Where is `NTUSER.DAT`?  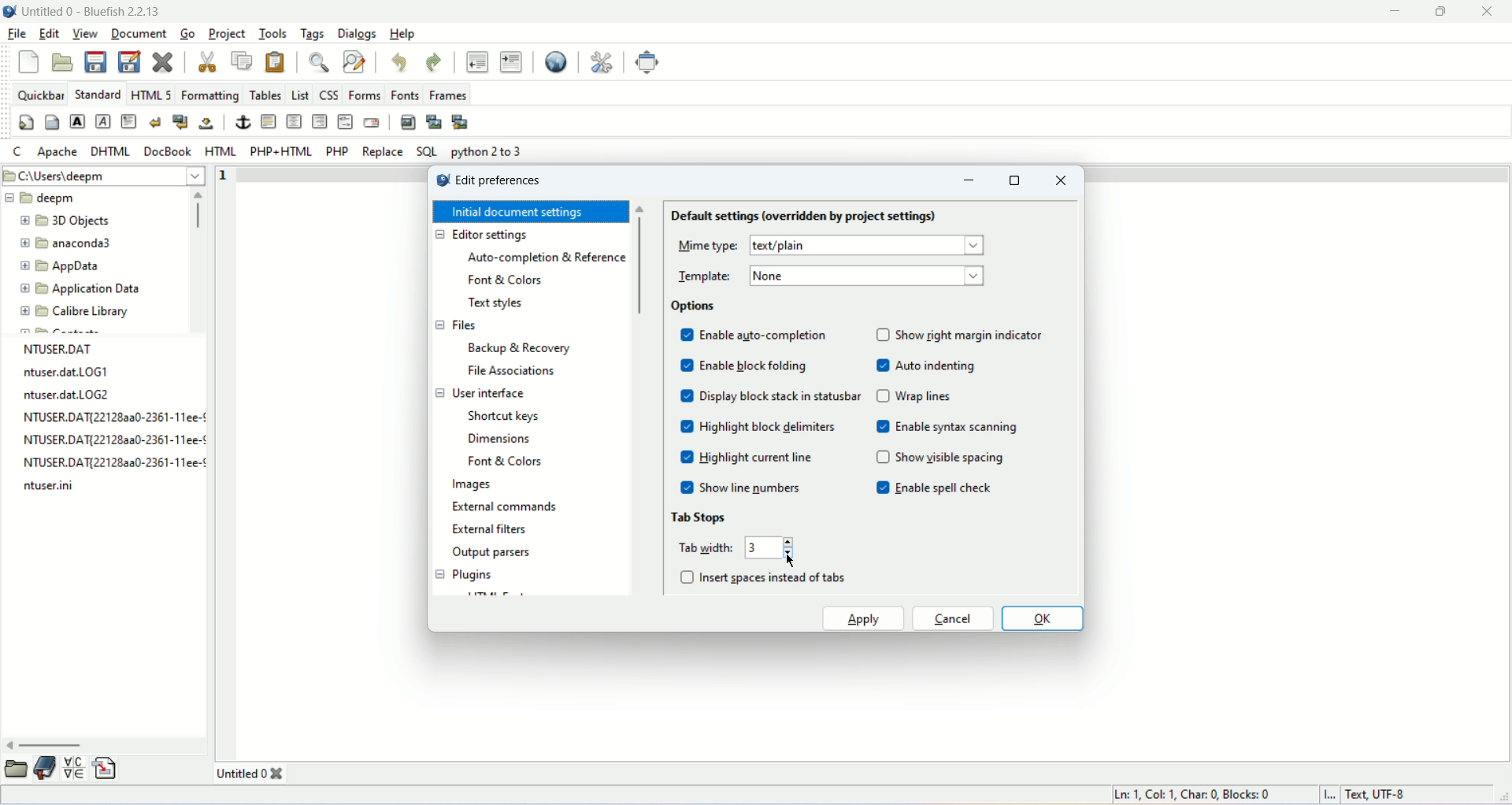 NTUSER.DAT is located at coordinates (57, 348).